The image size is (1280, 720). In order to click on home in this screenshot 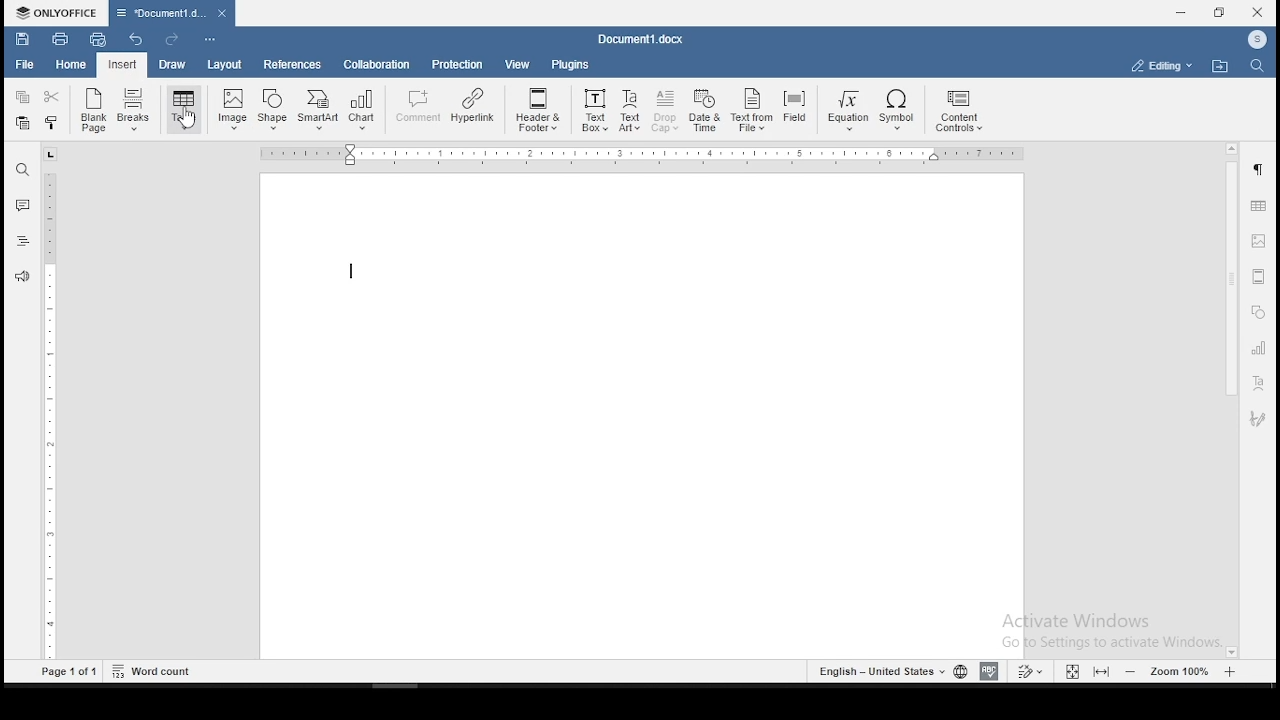, I will do `click(71, 65)`.